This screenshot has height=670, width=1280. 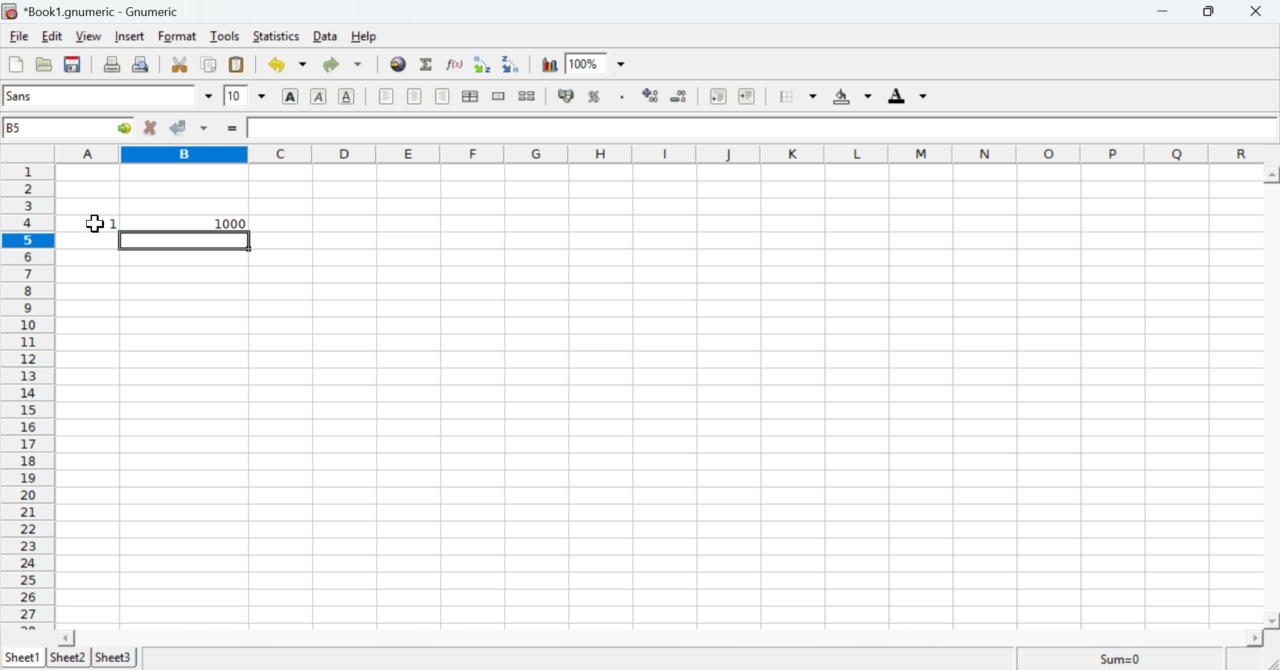 What do you see at coordinates (313, 128) in the screenshot?
I see `=convert(Ad,"kg","g")` at bounding box center [313, 128].